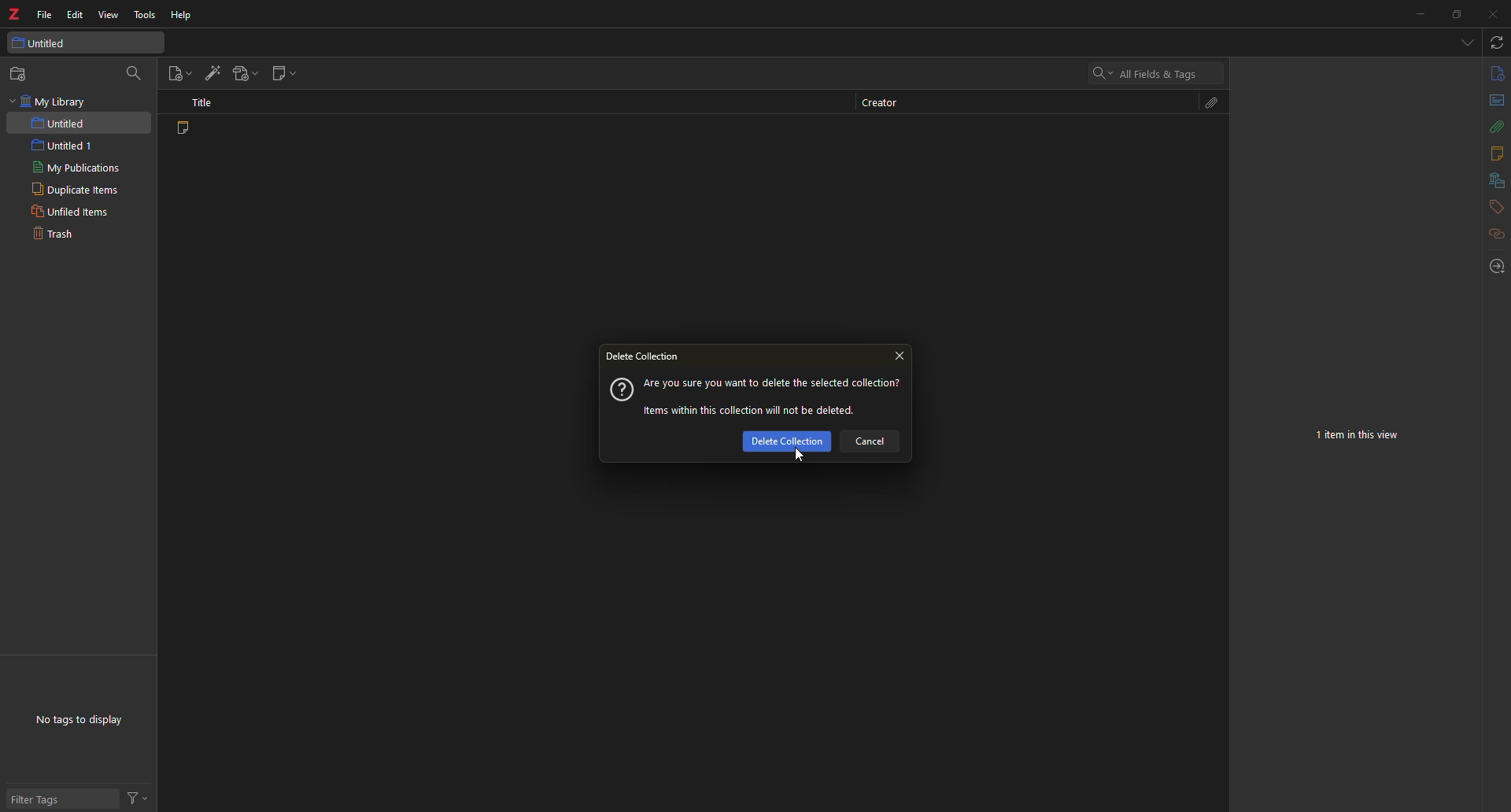  I want to click on filter tags, so click(42, 793).